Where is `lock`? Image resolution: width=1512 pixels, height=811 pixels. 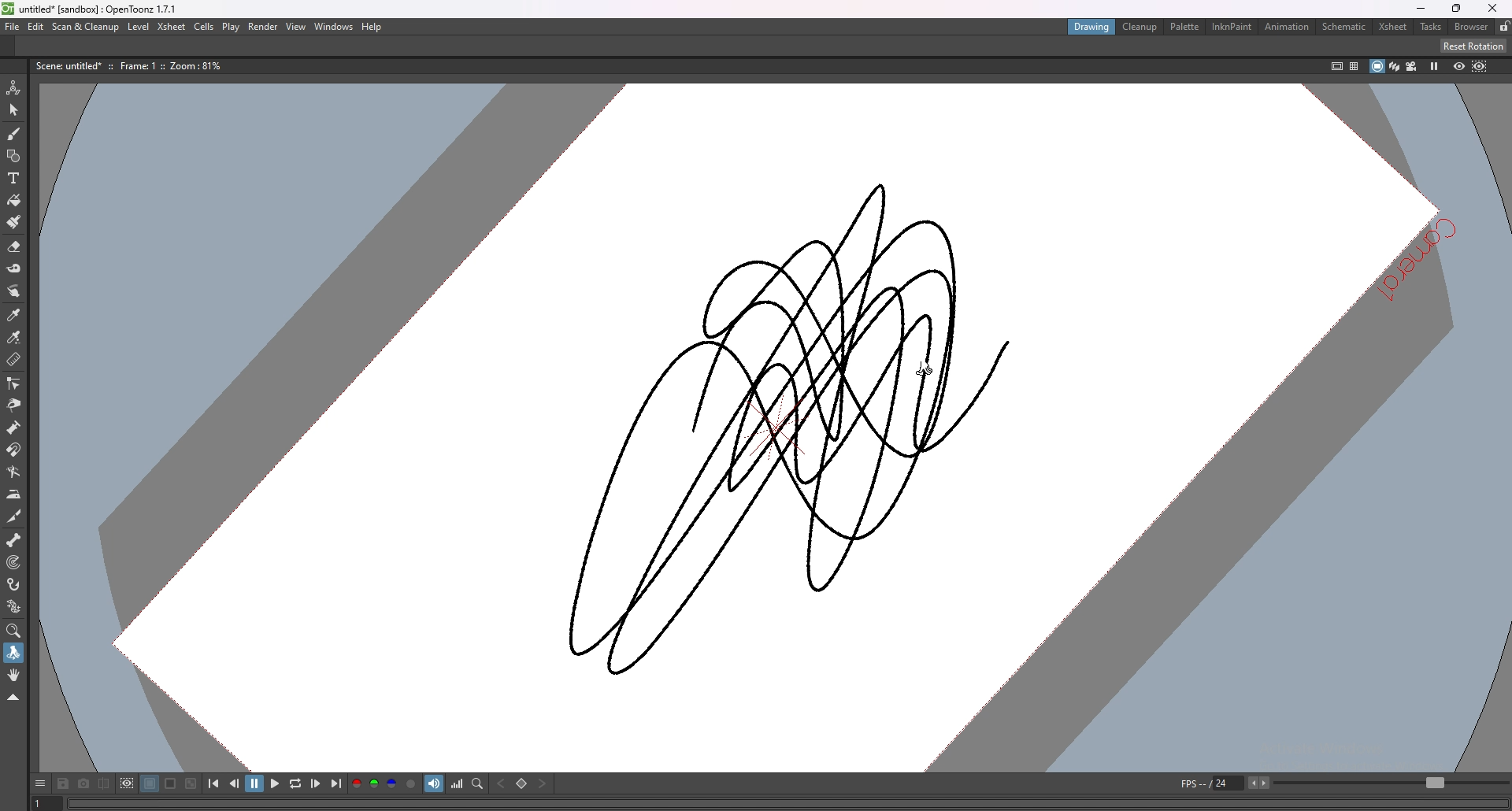
lock is located at coordinates (1505, 27).